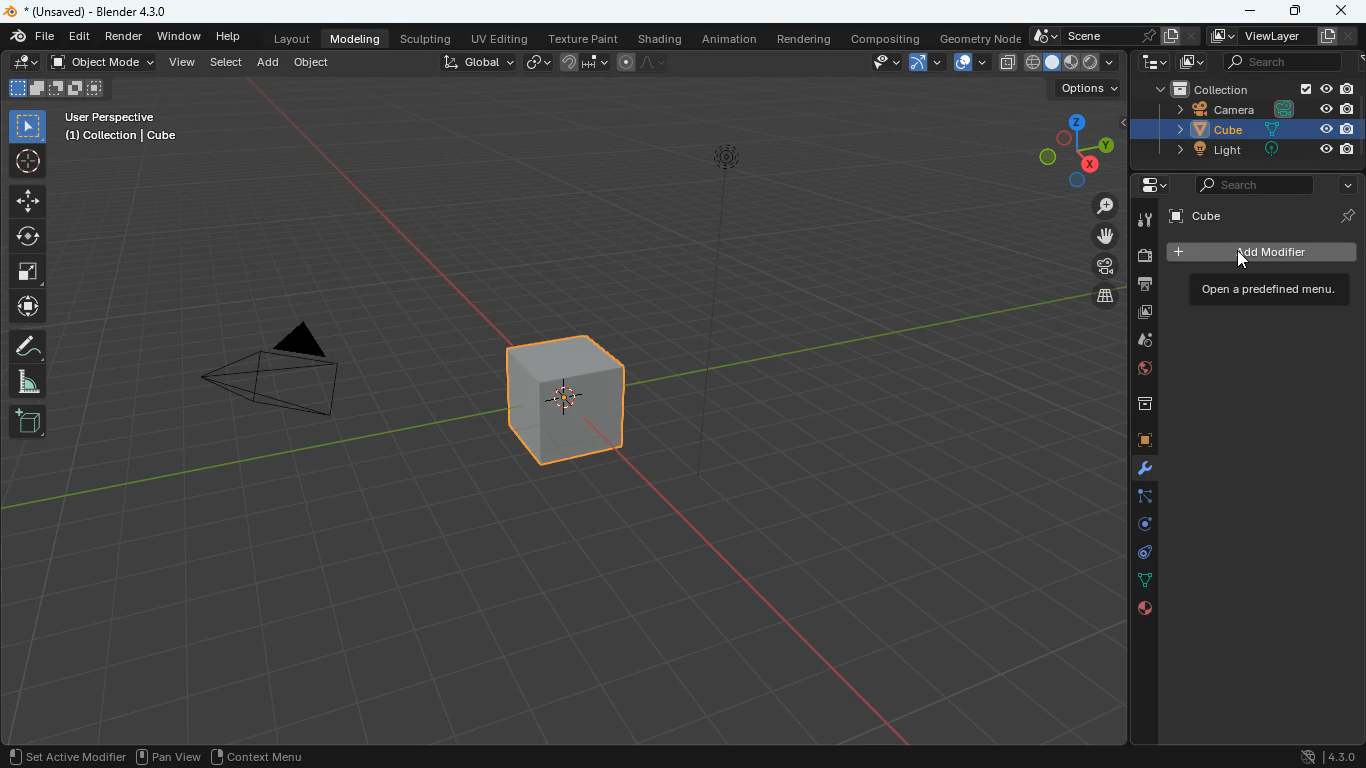 Image resolution: width=1366 pixels, height=768 pixels. What do you see at coordinates (1136, 470) in the screenshot?
I see `modifiers` at bounding box center [1136, 470].